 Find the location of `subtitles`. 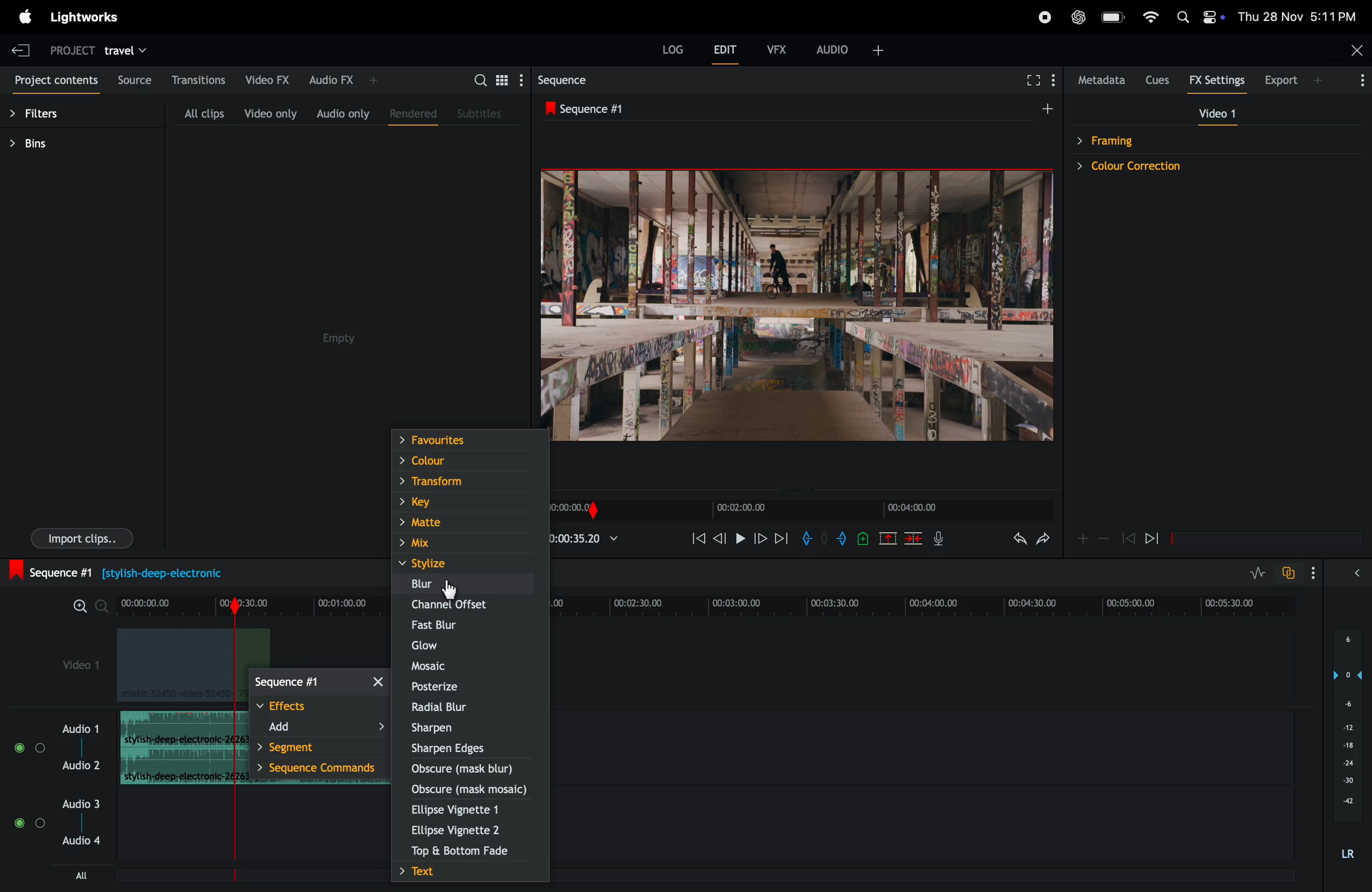

subtitles is located at coordinates (481, 115).